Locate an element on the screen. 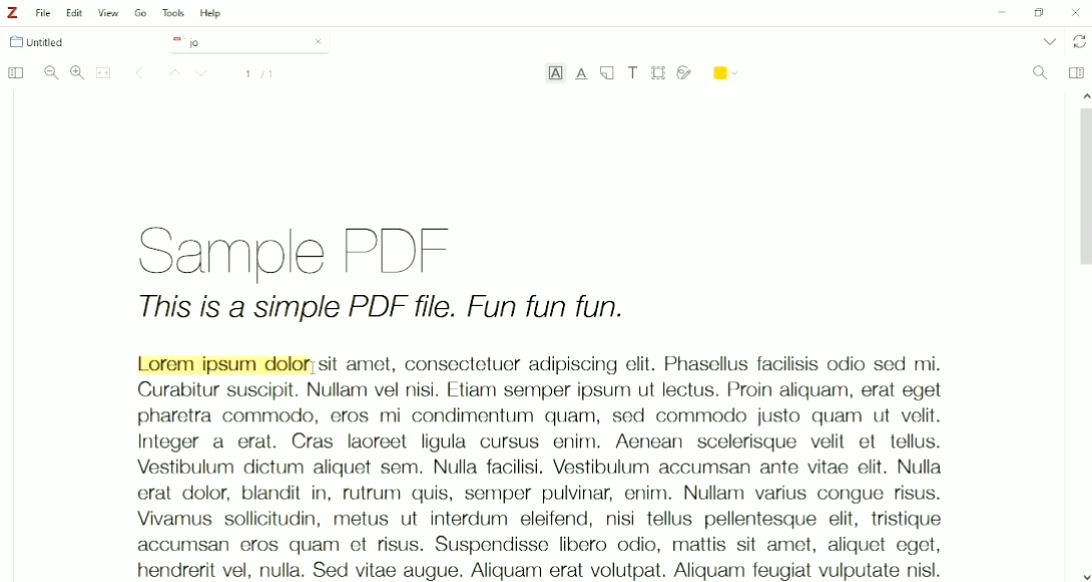  Toggle Context Pane is located at coordinates (1076, 72).